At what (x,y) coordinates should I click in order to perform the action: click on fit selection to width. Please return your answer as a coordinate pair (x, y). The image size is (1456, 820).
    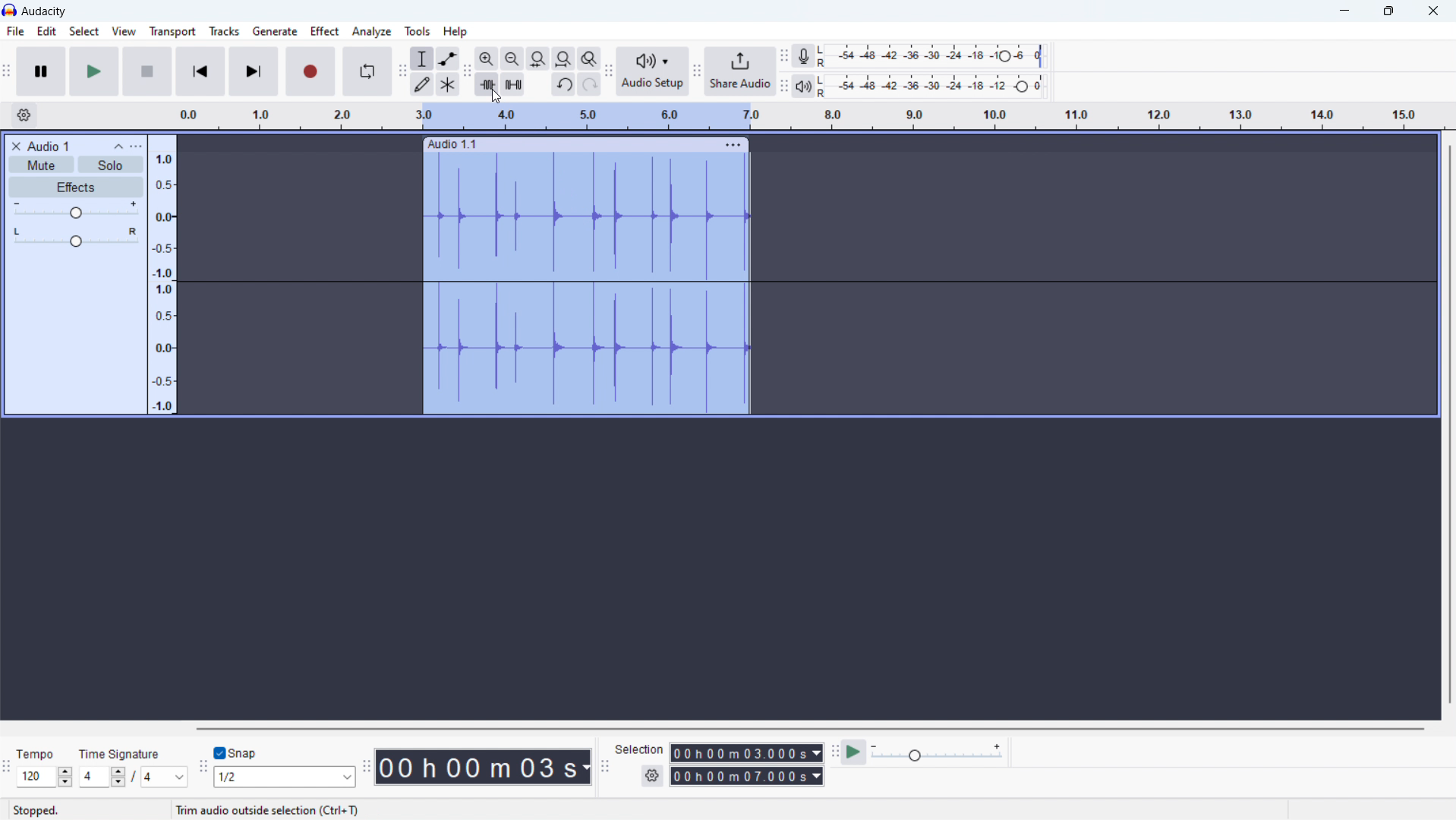
    Looking at the image, I should click on (537, 58).